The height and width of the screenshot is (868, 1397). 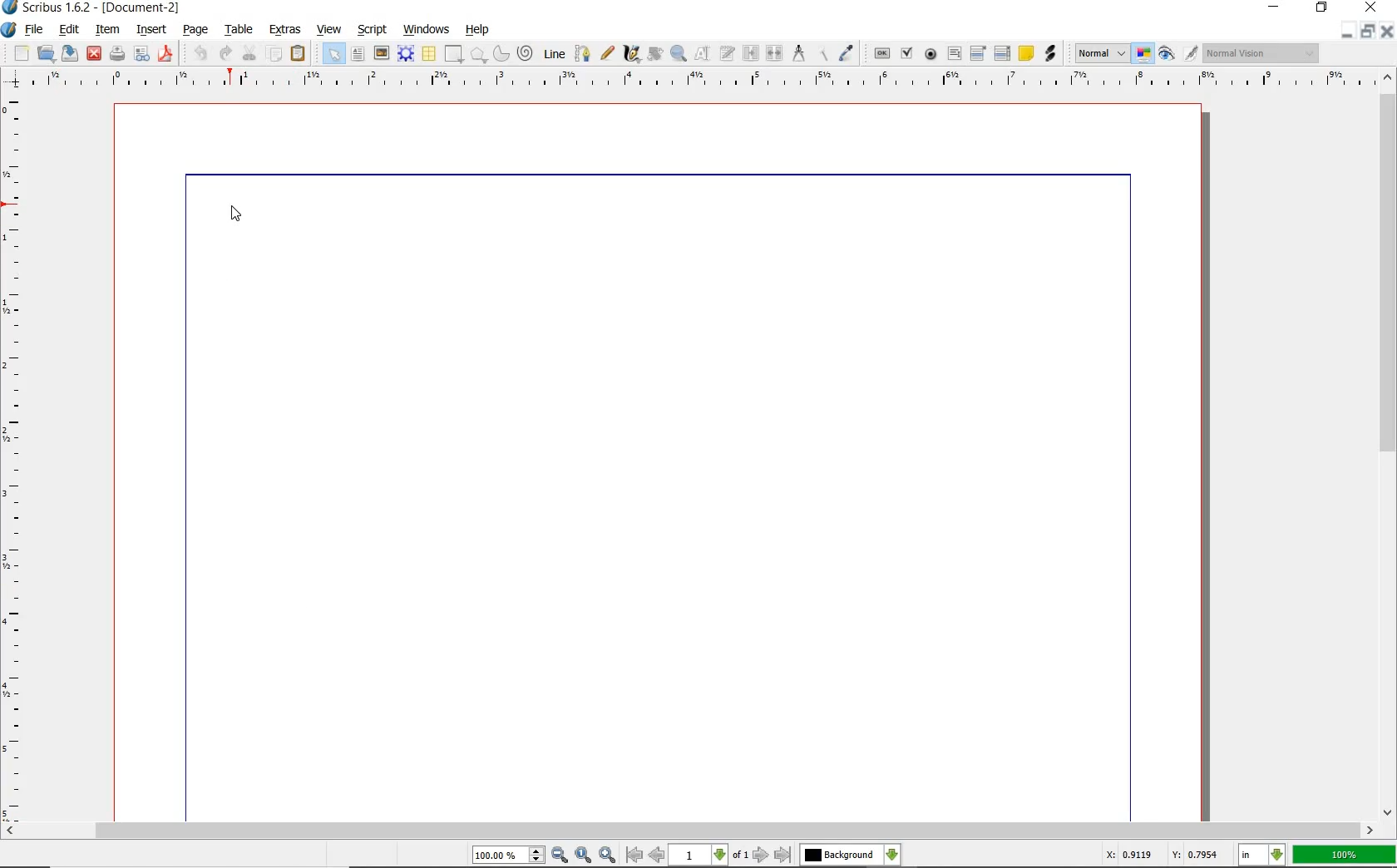 I want to click on select the current layer, so click(x=850, y=856).